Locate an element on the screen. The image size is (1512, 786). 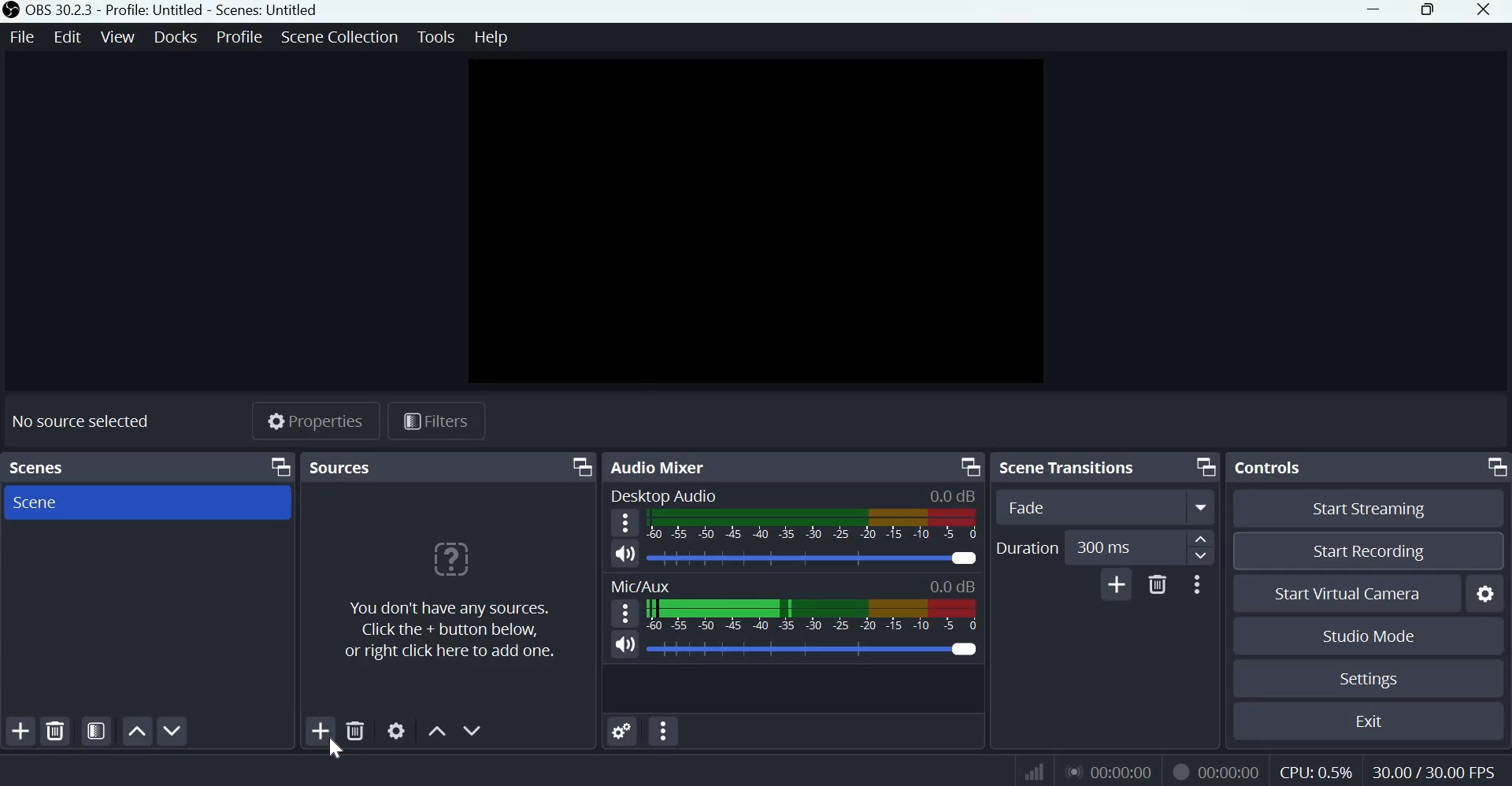
Properties is located at coordinates (313, 421).